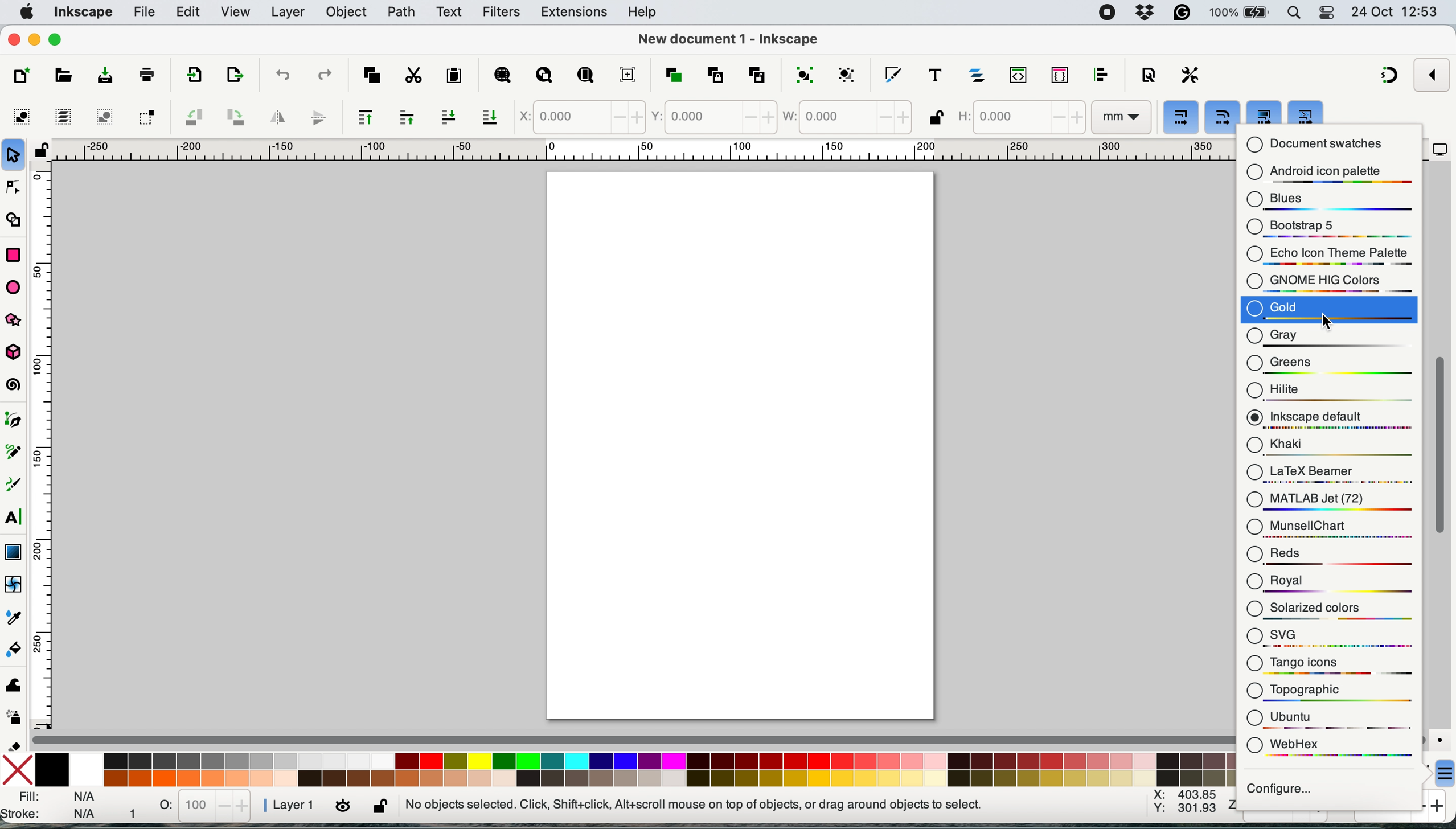  I want to click on toggle lock of all guides in this document, so click(42, 150).